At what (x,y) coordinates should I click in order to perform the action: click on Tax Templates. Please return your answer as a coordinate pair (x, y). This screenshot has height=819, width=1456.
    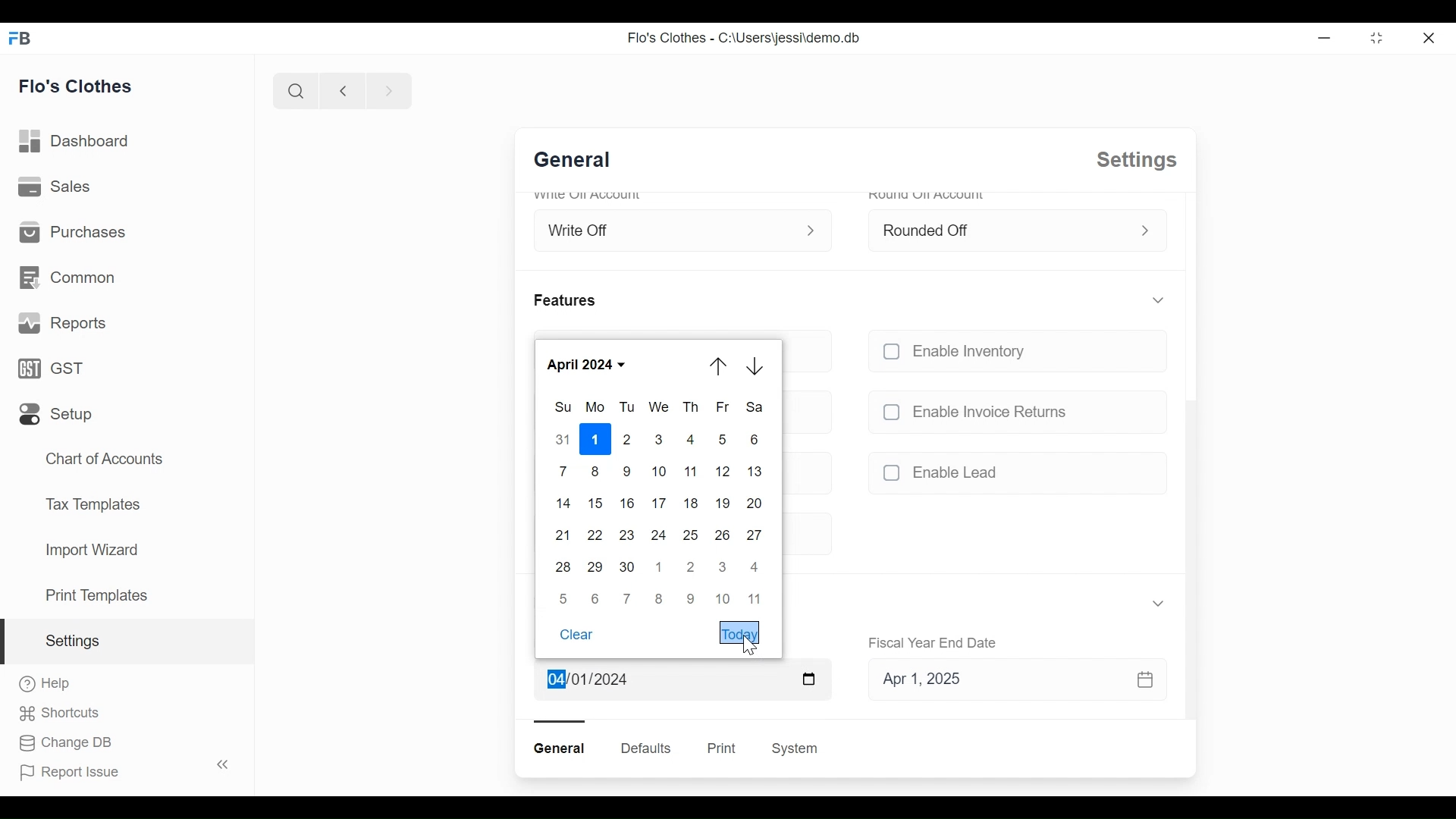
    Looking at the image, I should click on (93, 504).